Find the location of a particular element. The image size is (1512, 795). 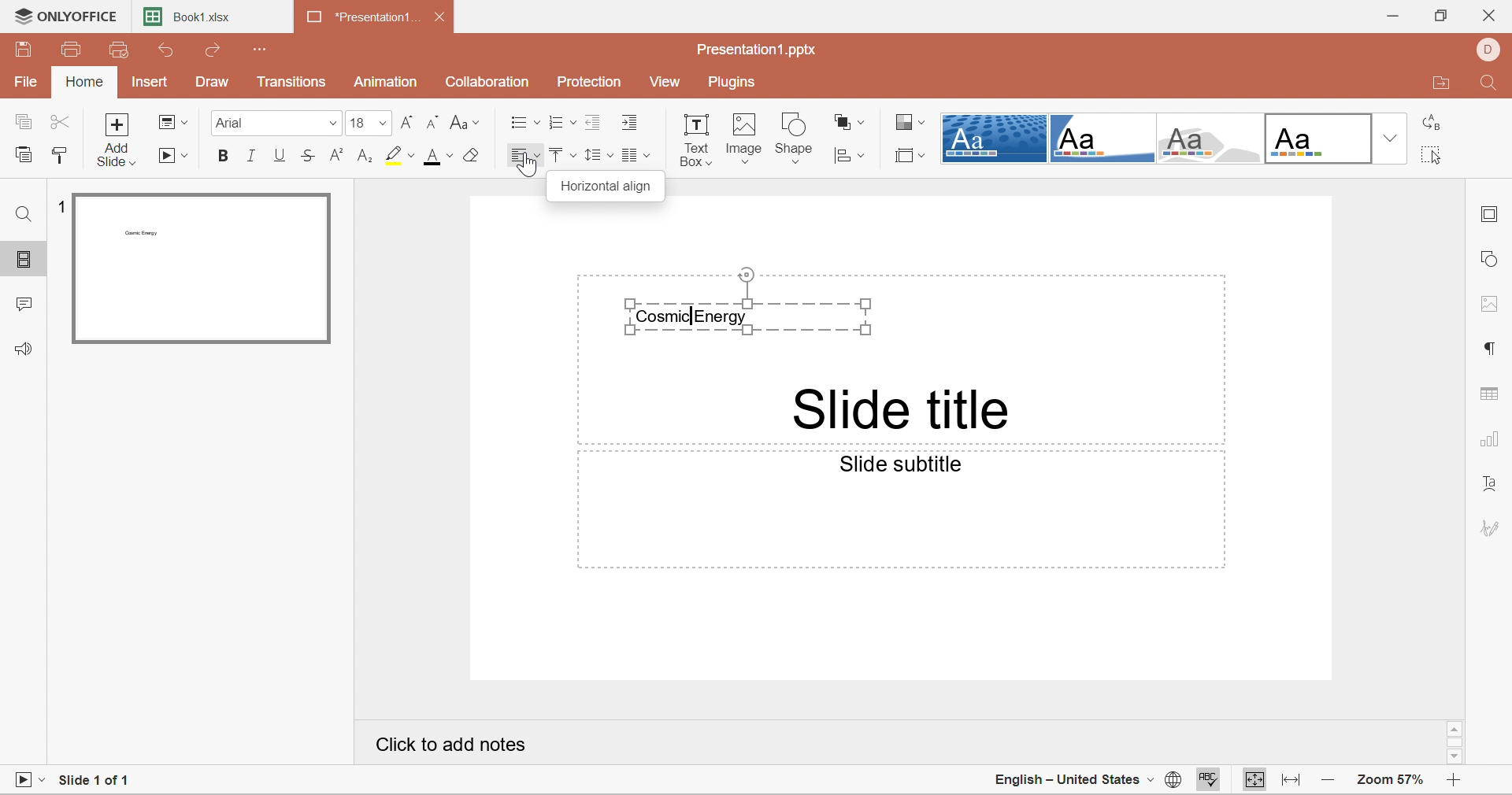

Shape is located at coordinates (795, 137).